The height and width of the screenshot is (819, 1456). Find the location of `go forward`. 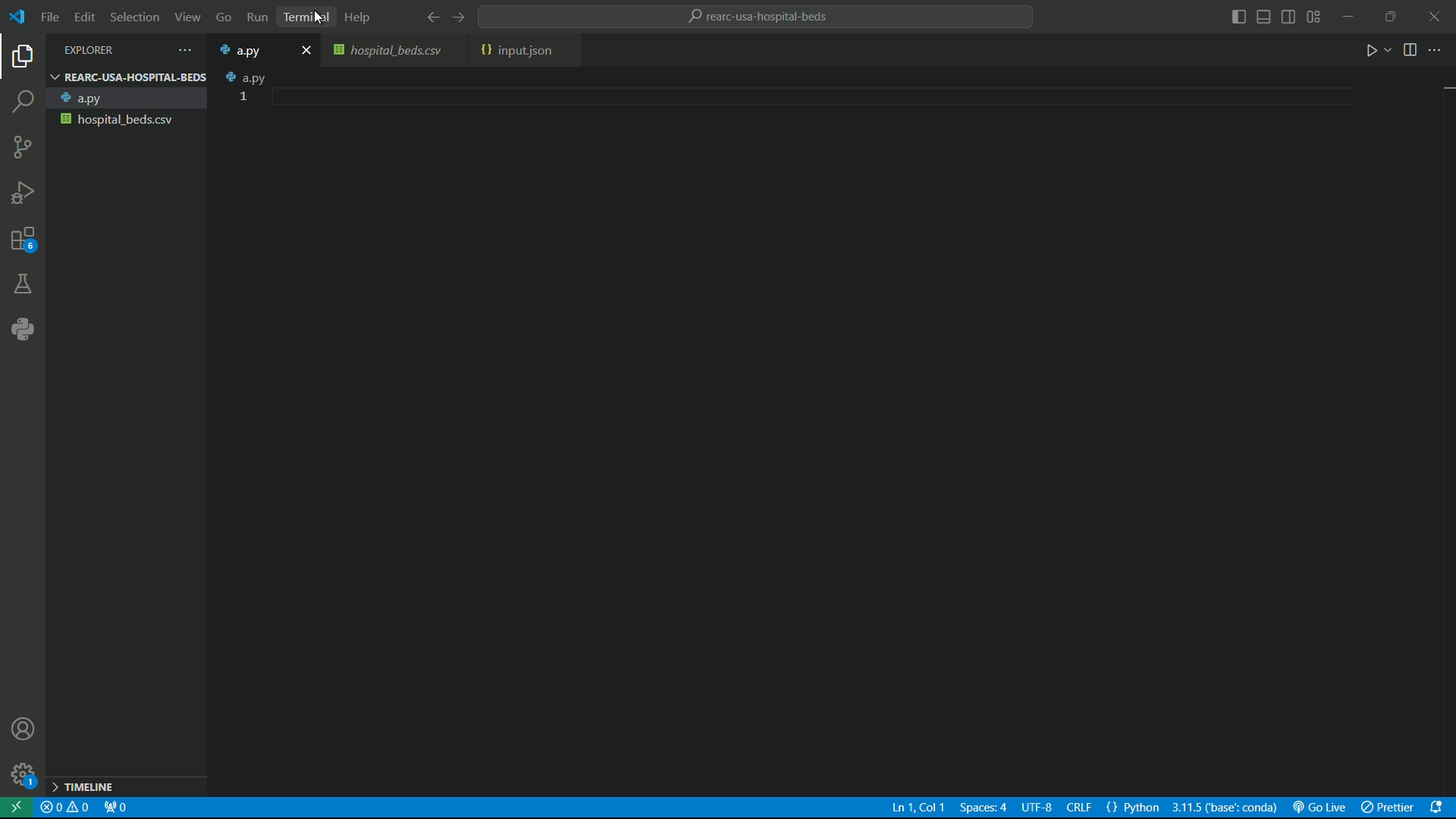

go forward is located at coordinates (465, 17).